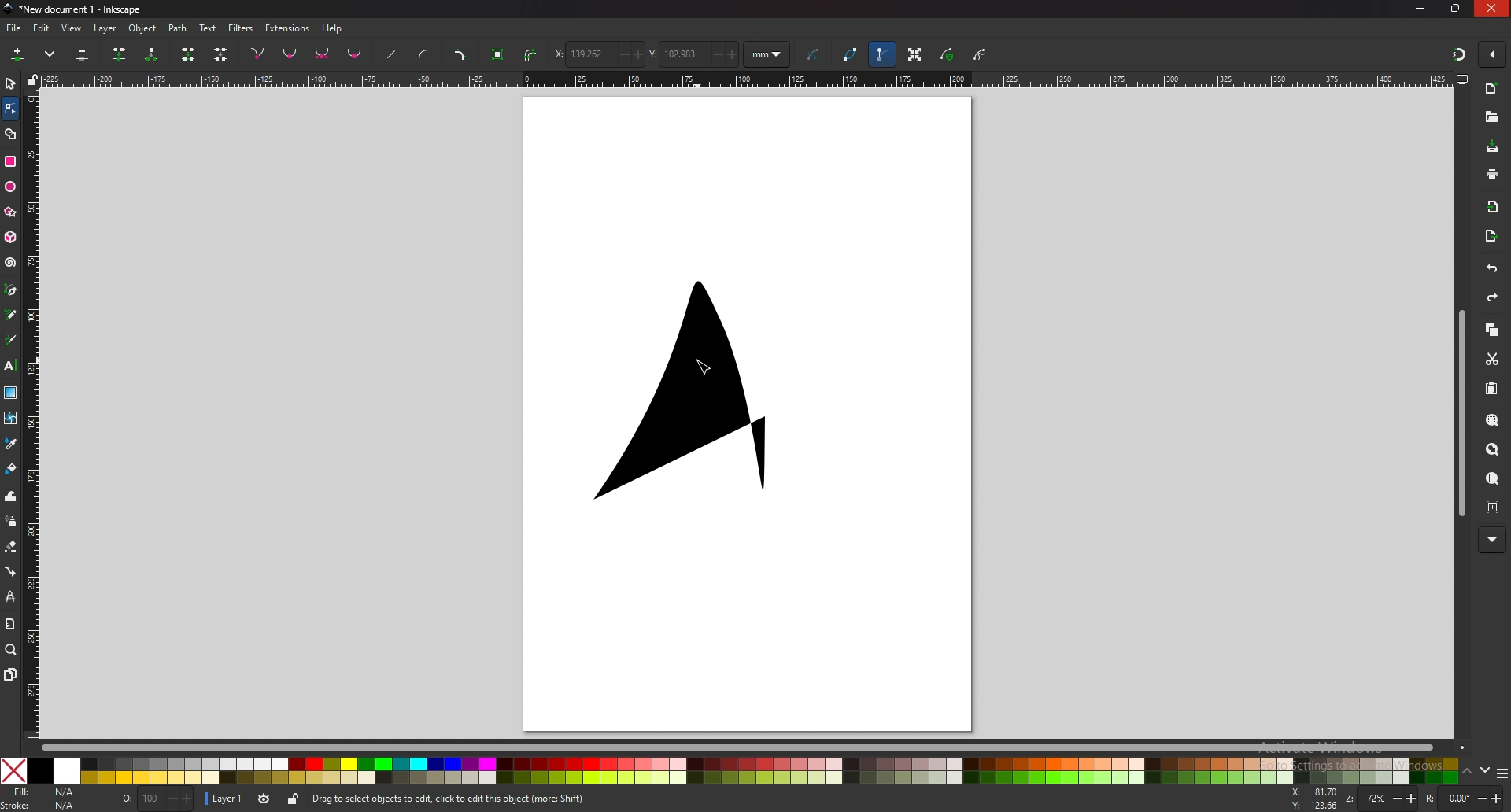 The height and width of the screenshot is (812, 1511). Describe the element at coordinates (145, 28) in the screenshot. I see `object` at that location.